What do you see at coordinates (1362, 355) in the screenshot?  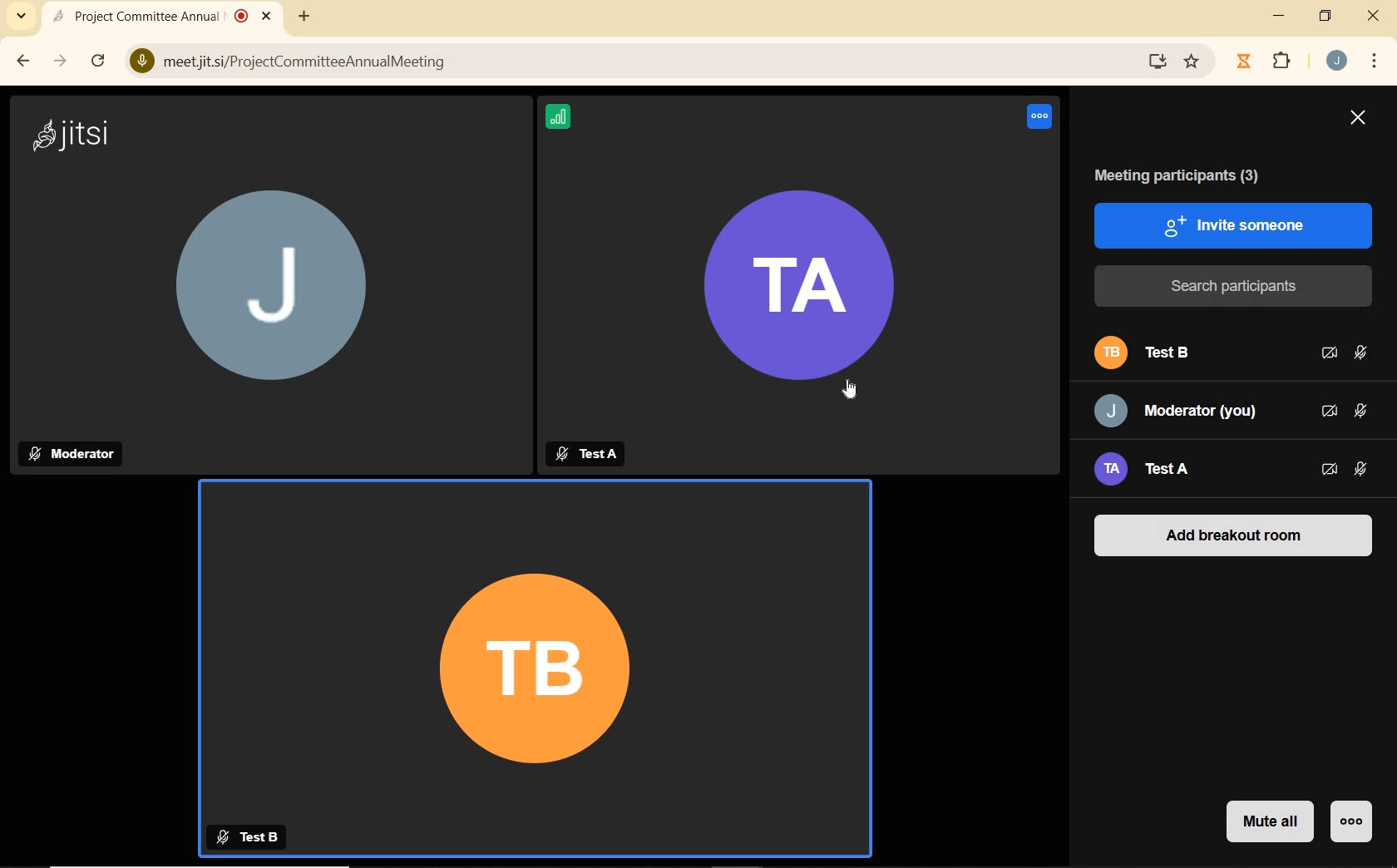 I see `MICROPHONE` at bounding box center [1362, 355].